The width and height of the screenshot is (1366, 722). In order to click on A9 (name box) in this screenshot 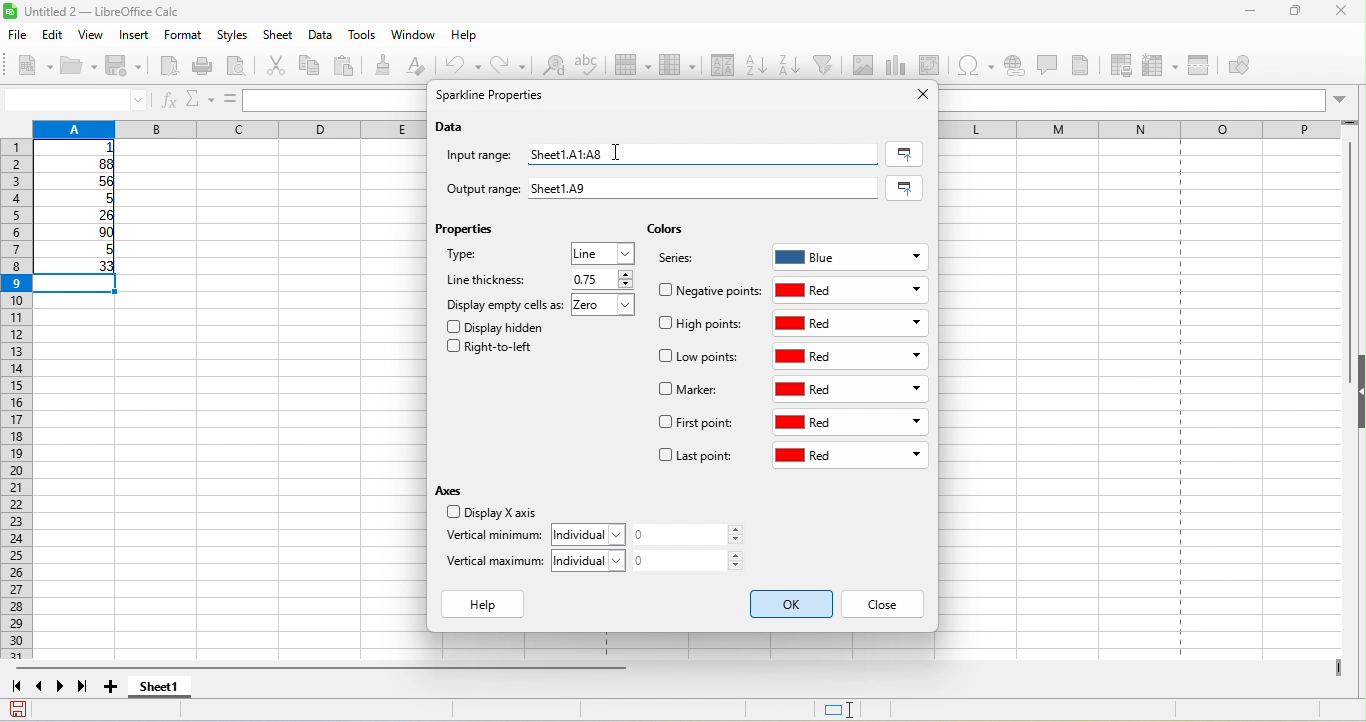, I will do `click(75, 99)`.